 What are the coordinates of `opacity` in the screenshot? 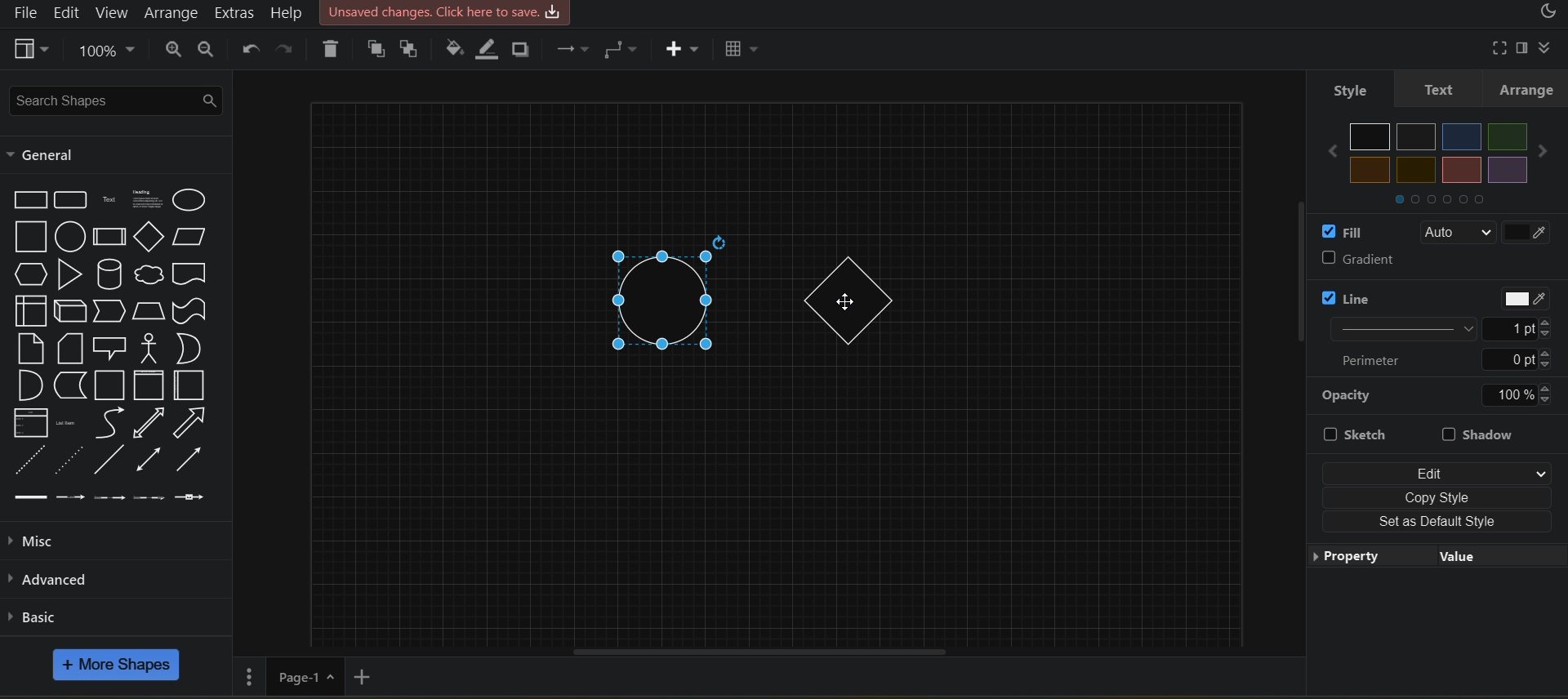 It's located at (1431, 398).